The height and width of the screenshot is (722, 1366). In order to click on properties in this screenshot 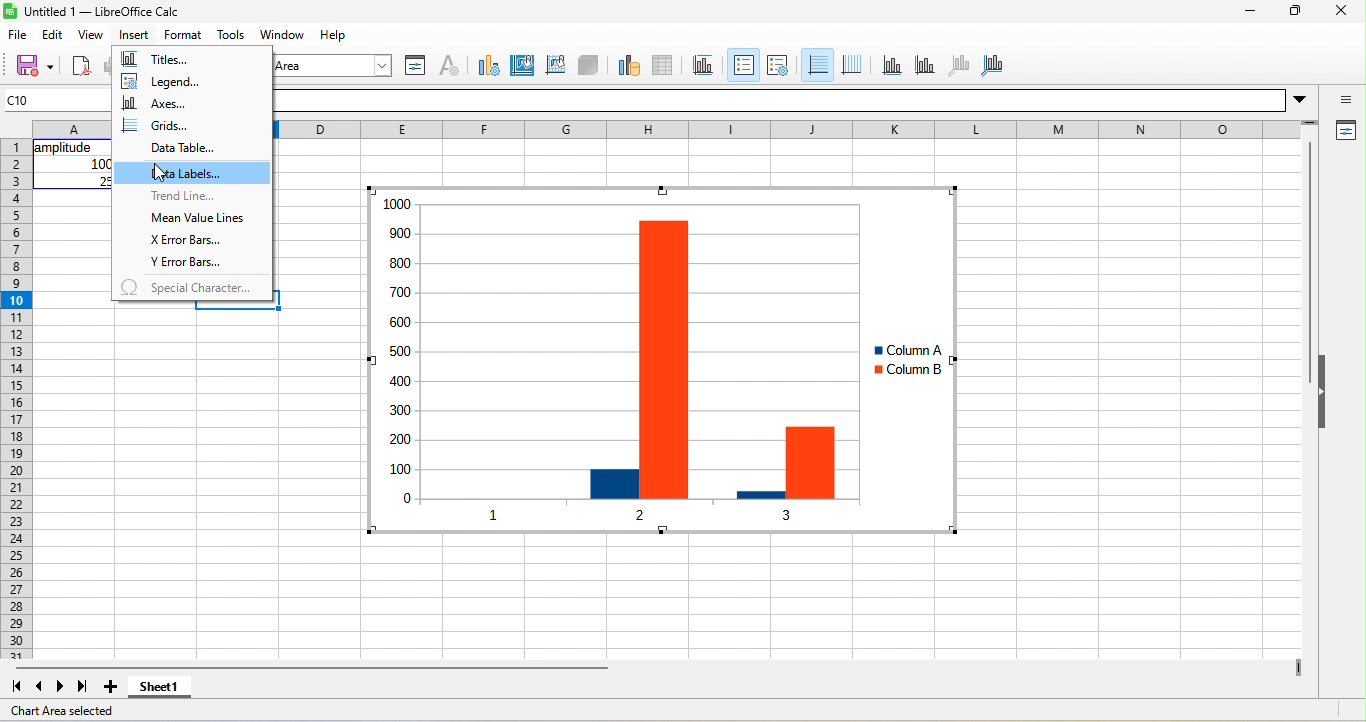, I will do `click(1344, 132)`.